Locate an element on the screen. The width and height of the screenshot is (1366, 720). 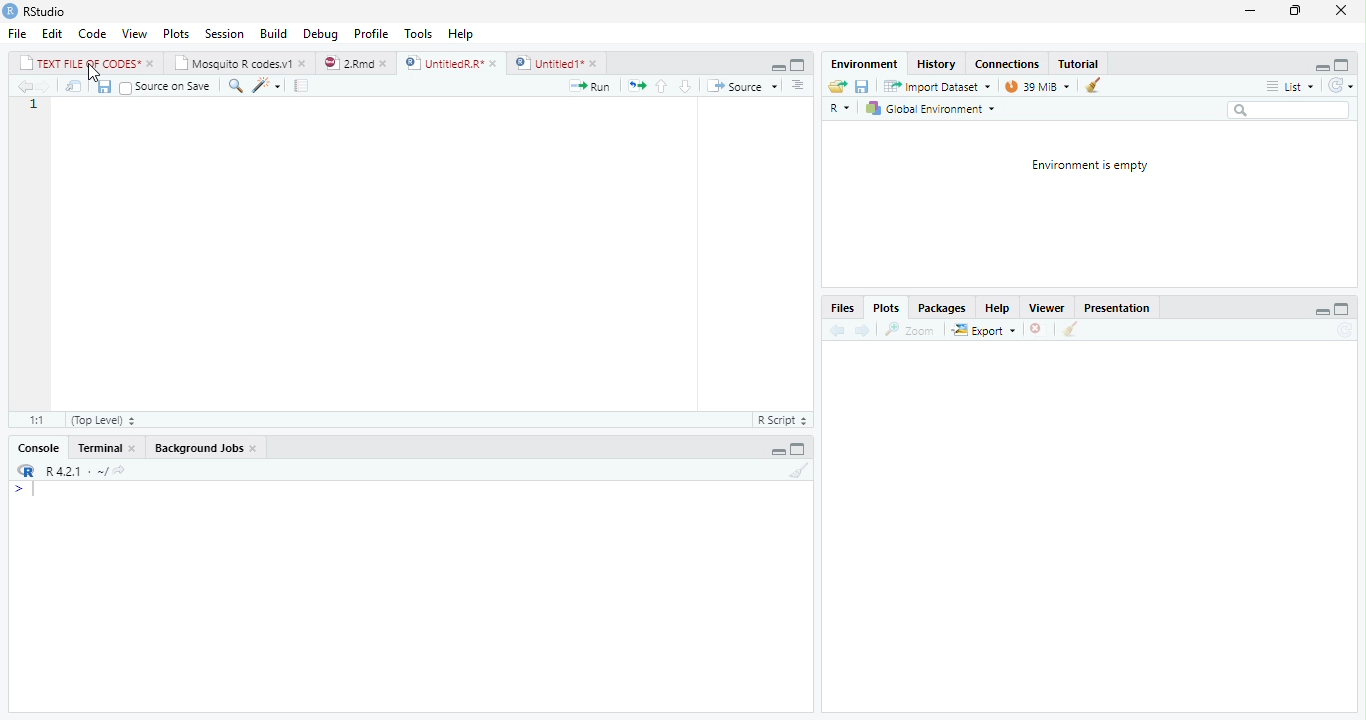
R is located at coordinates (840, 106).